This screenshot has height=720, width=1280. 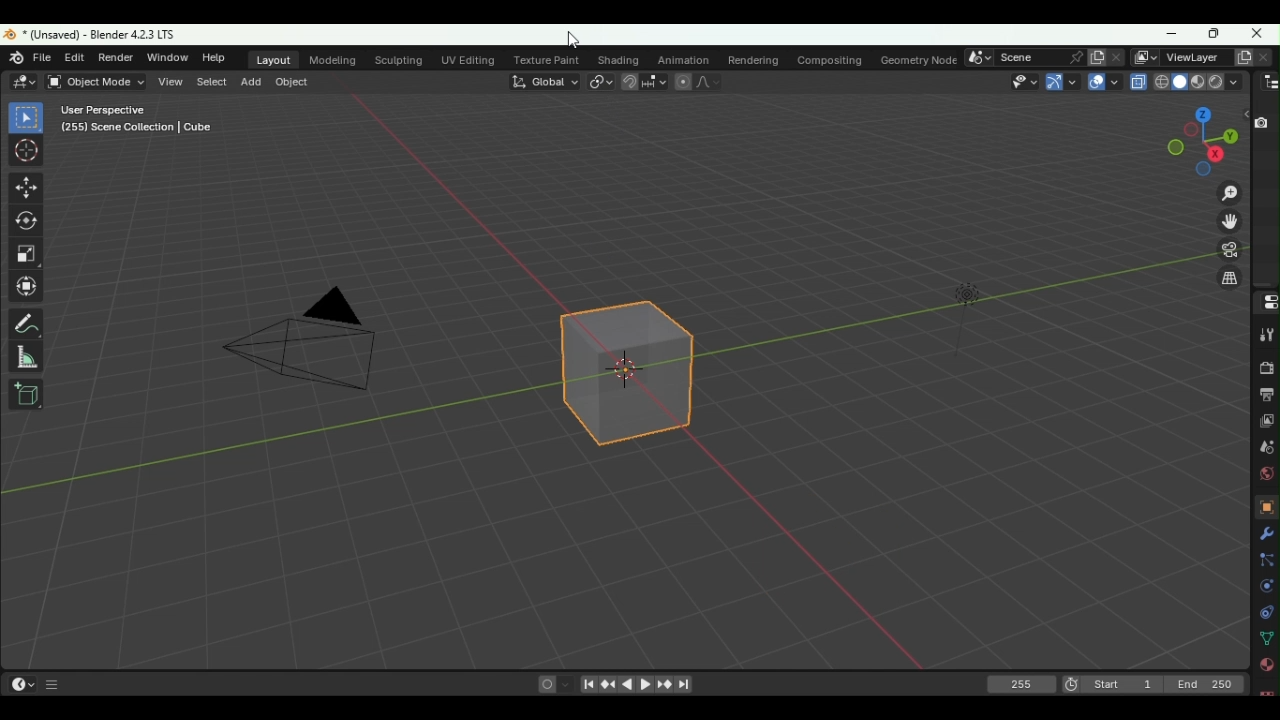 I want to click on Measure, so click(x=25, y=356).